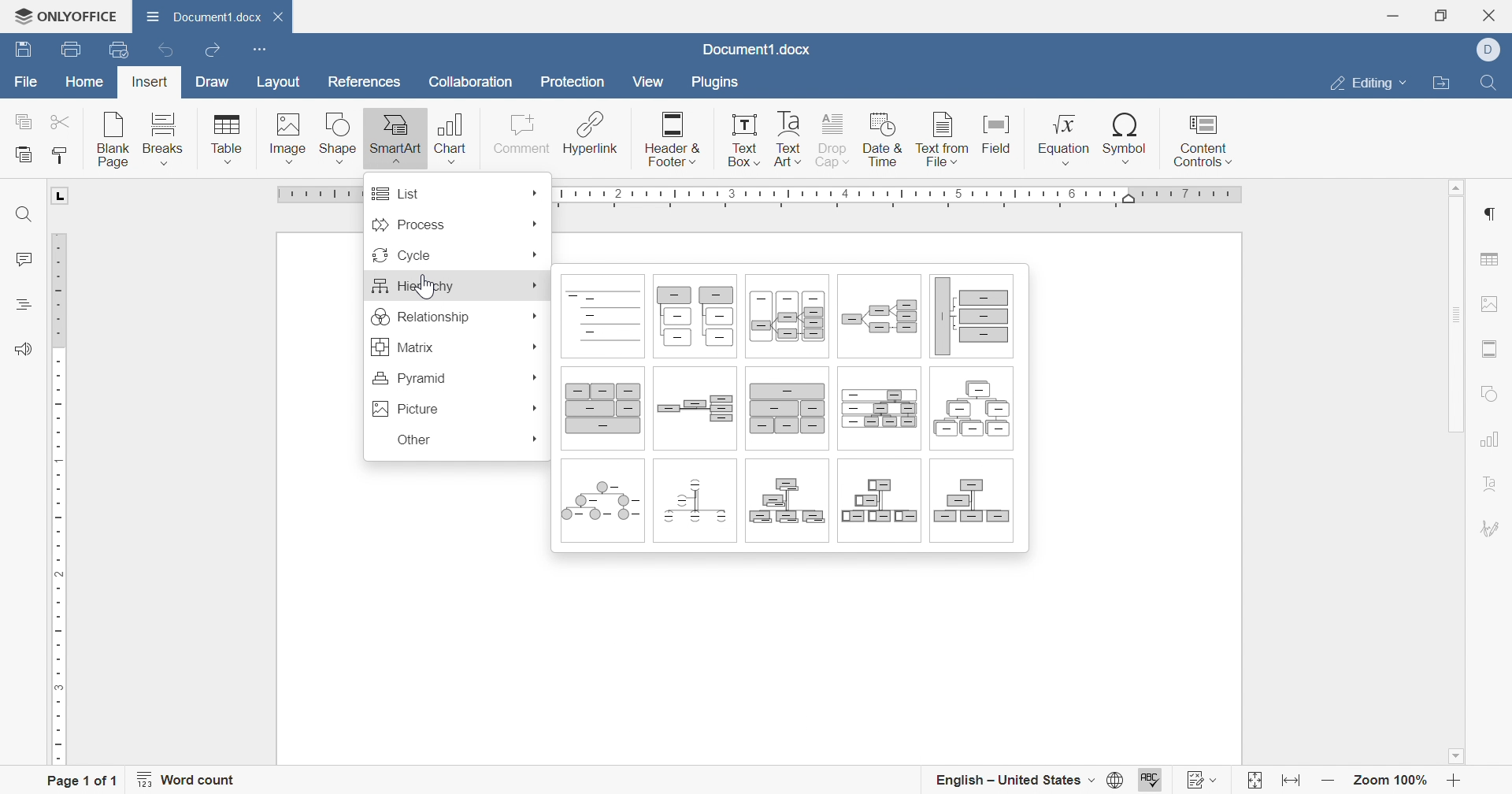  What do you see at coordinates (162, 50) in the screenshot?
I see `Undo` at bounding box center [162, 50].